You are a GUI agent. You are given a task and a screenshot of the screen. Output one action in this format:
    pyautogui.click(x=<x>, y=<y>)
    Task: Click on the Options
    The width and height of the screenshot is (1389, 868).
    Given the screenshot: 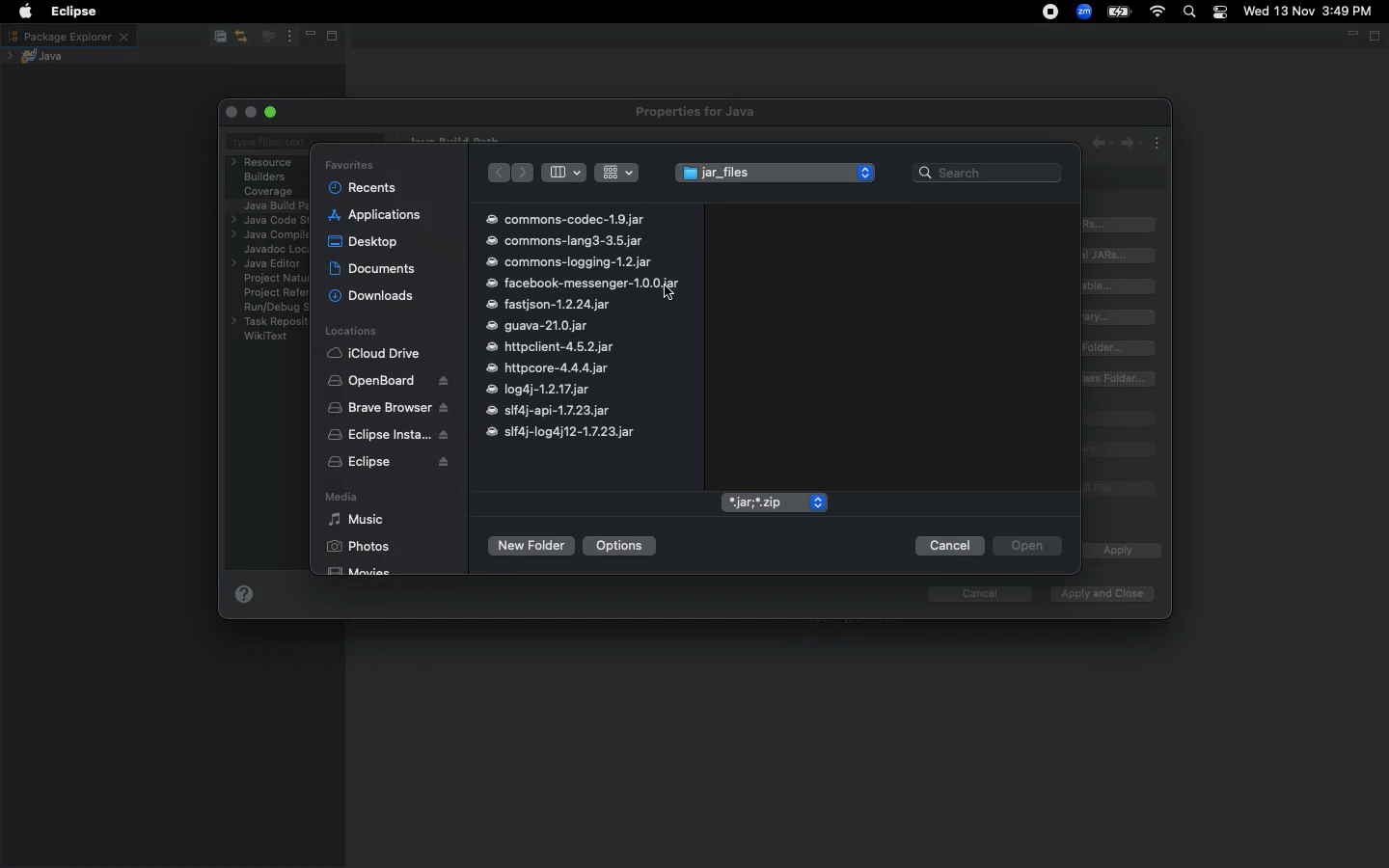 What is the action you would take?
    pyautogui.click(x=621, y=545)
    